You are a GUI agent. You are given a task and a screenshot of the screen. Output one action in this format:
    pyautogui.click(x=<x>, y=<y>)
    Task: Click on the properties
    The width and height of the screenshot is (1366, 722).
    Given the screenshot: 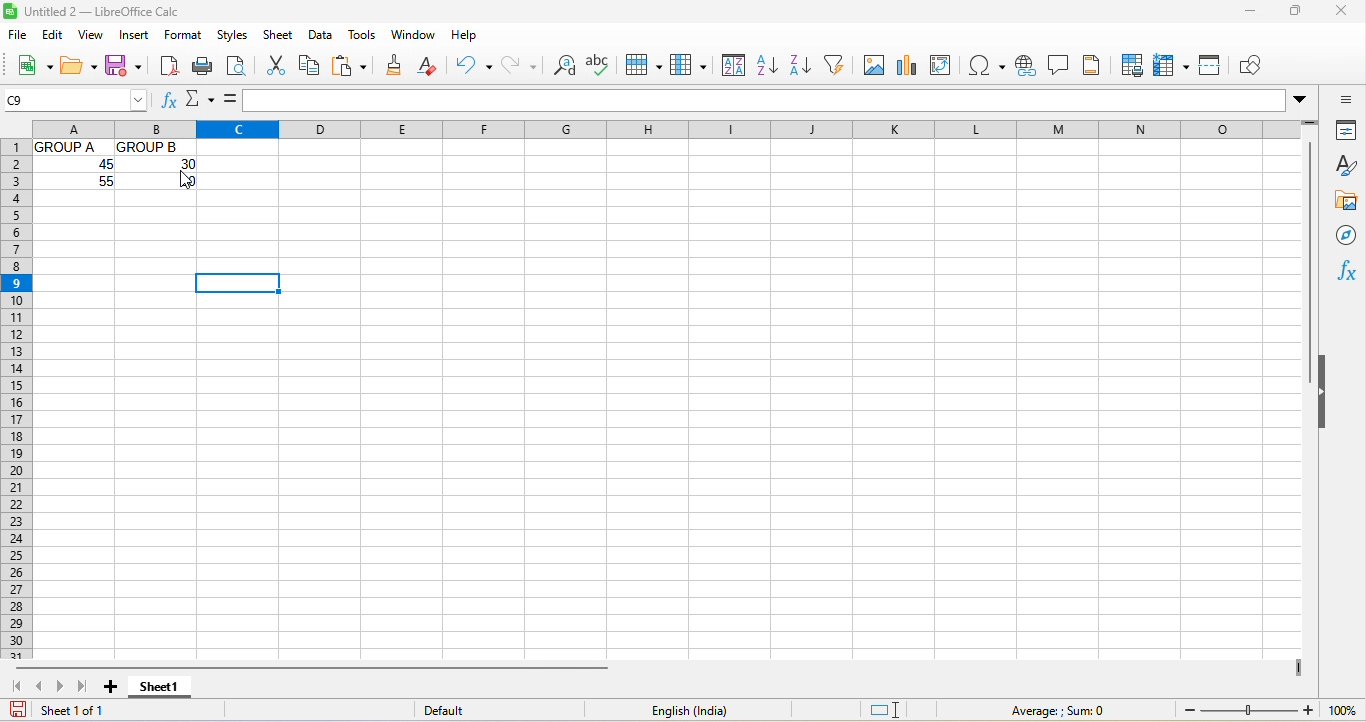 What is the action you would take?
    pyautogui.click(x=1345, y=130)
    